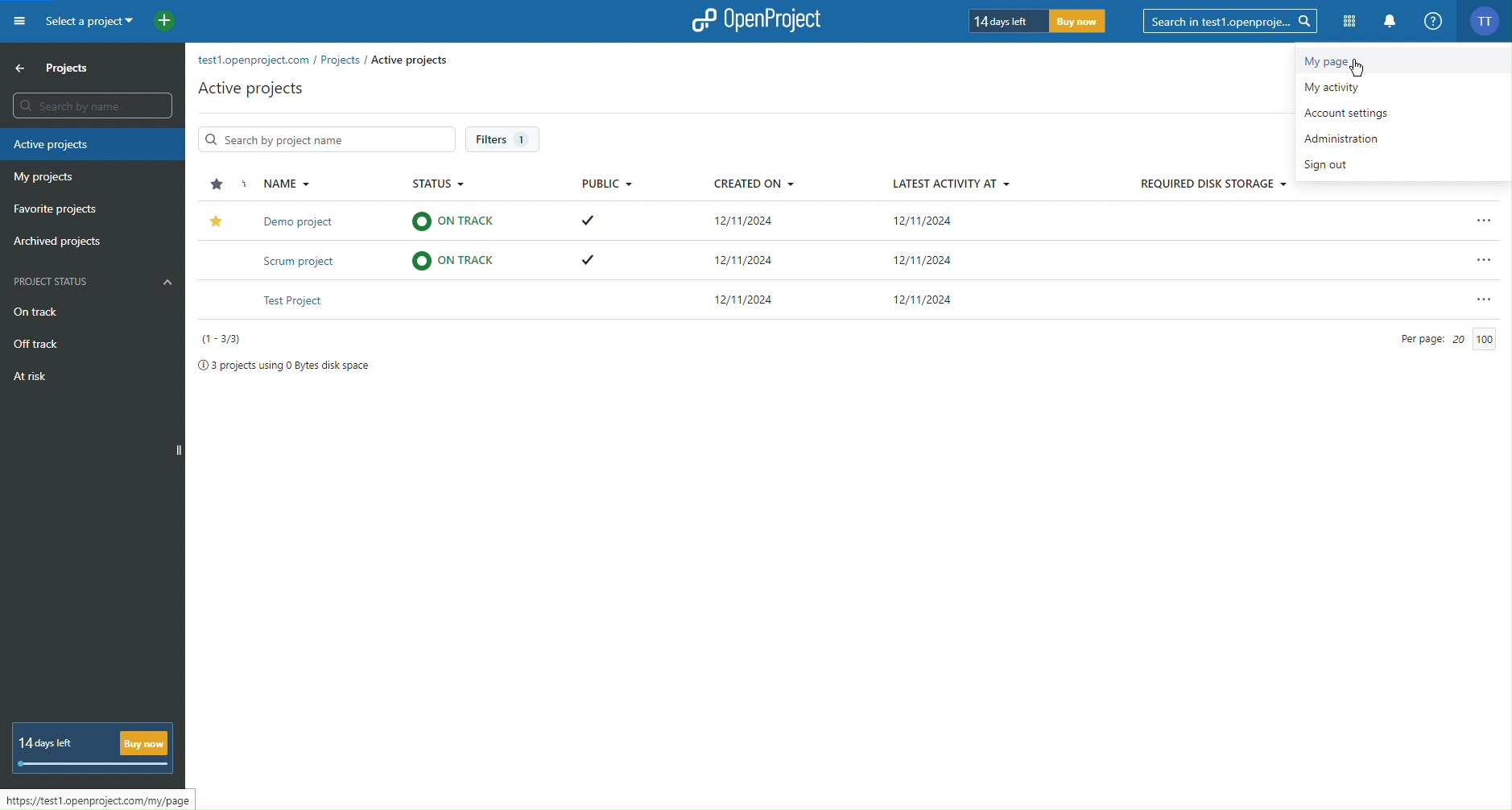 The width and height of the screenshot is (1512, 810). What do you see at coordinates (109, 23) in the screenshot?
I see `Select a project` at bounding box center [109, 23].